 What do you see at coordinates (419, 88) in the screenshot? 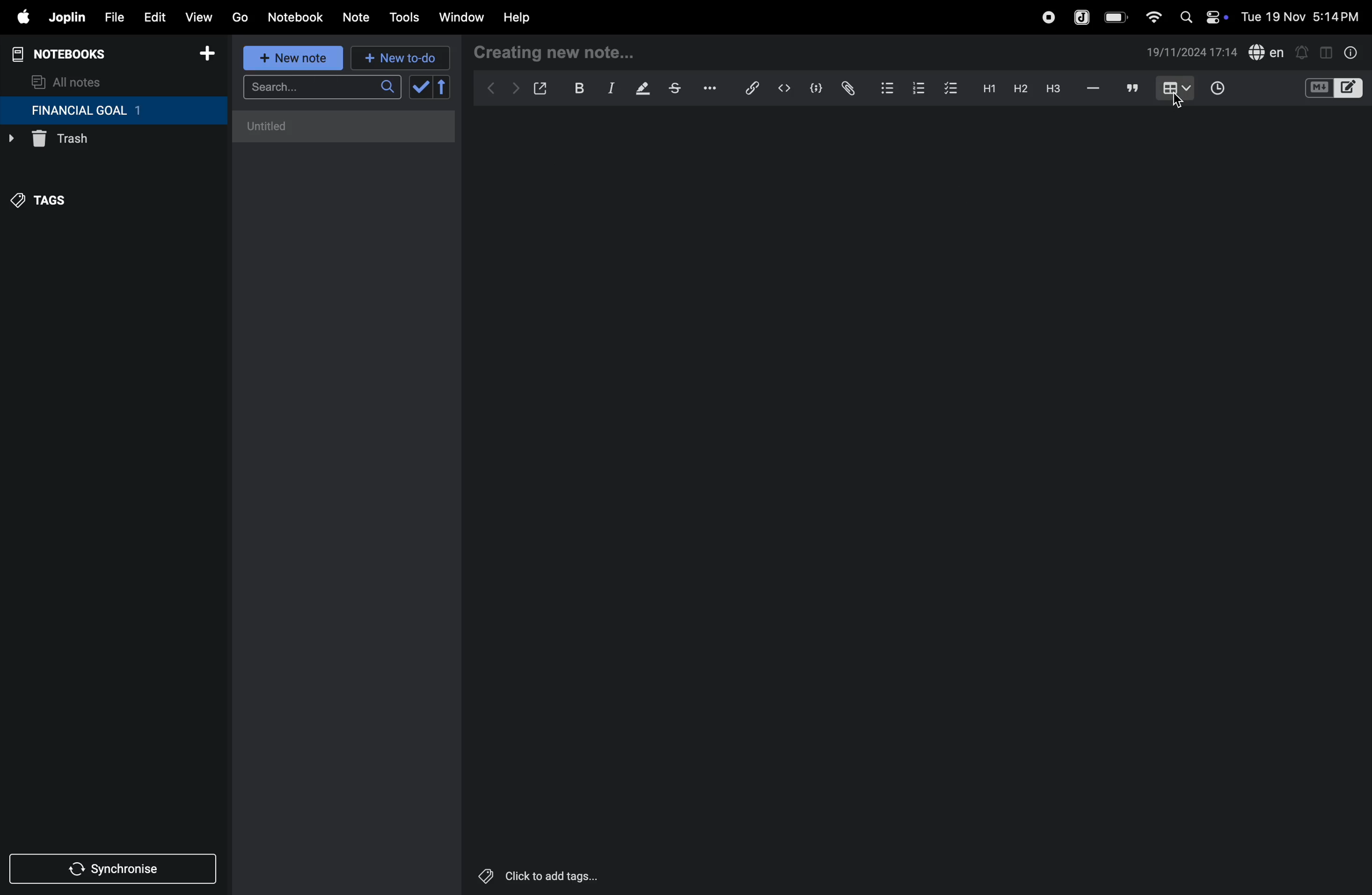
I see `check` at bounding box center [419, 88].